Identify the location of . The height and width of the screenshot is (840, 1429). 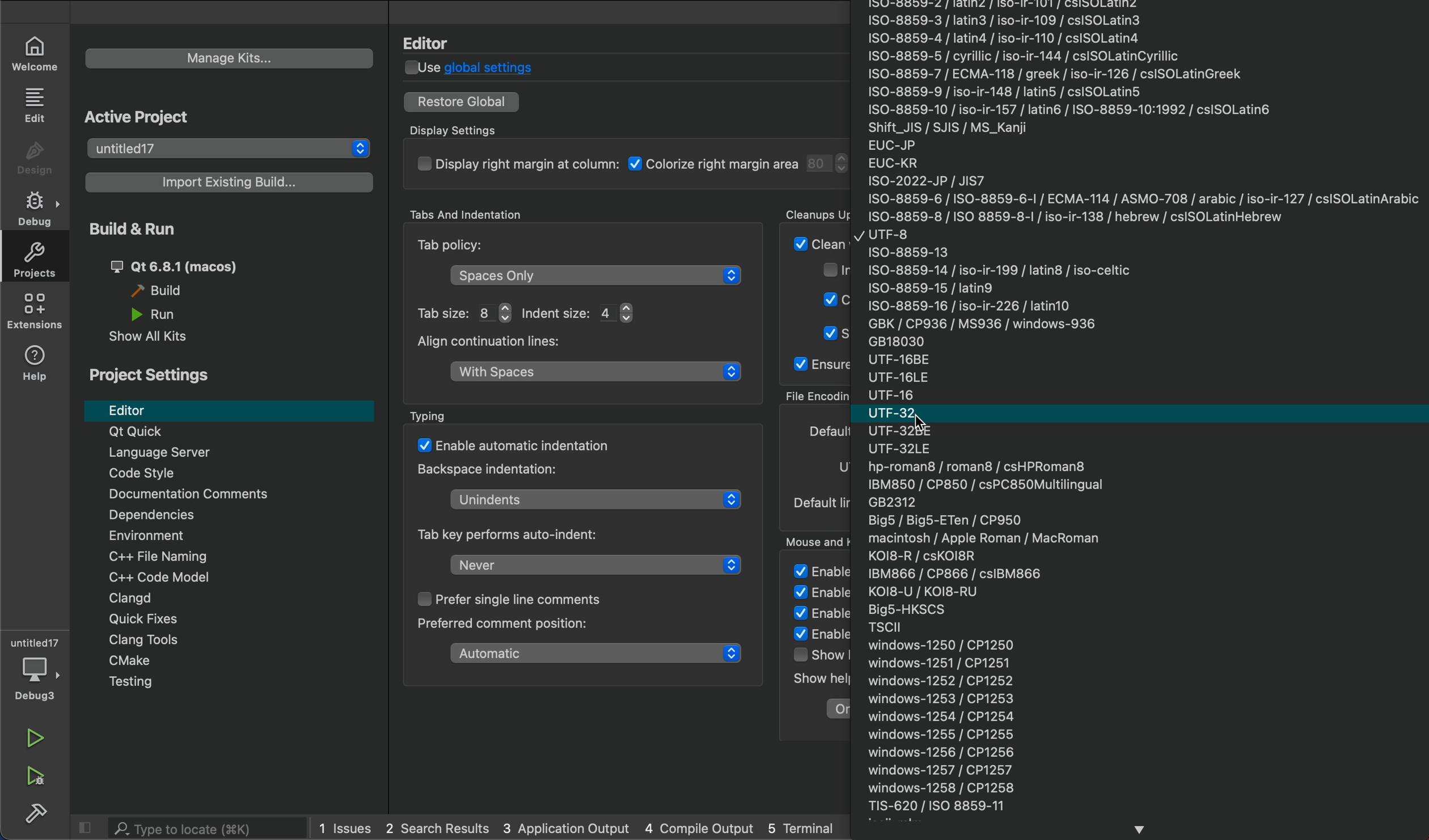
(797, 828).